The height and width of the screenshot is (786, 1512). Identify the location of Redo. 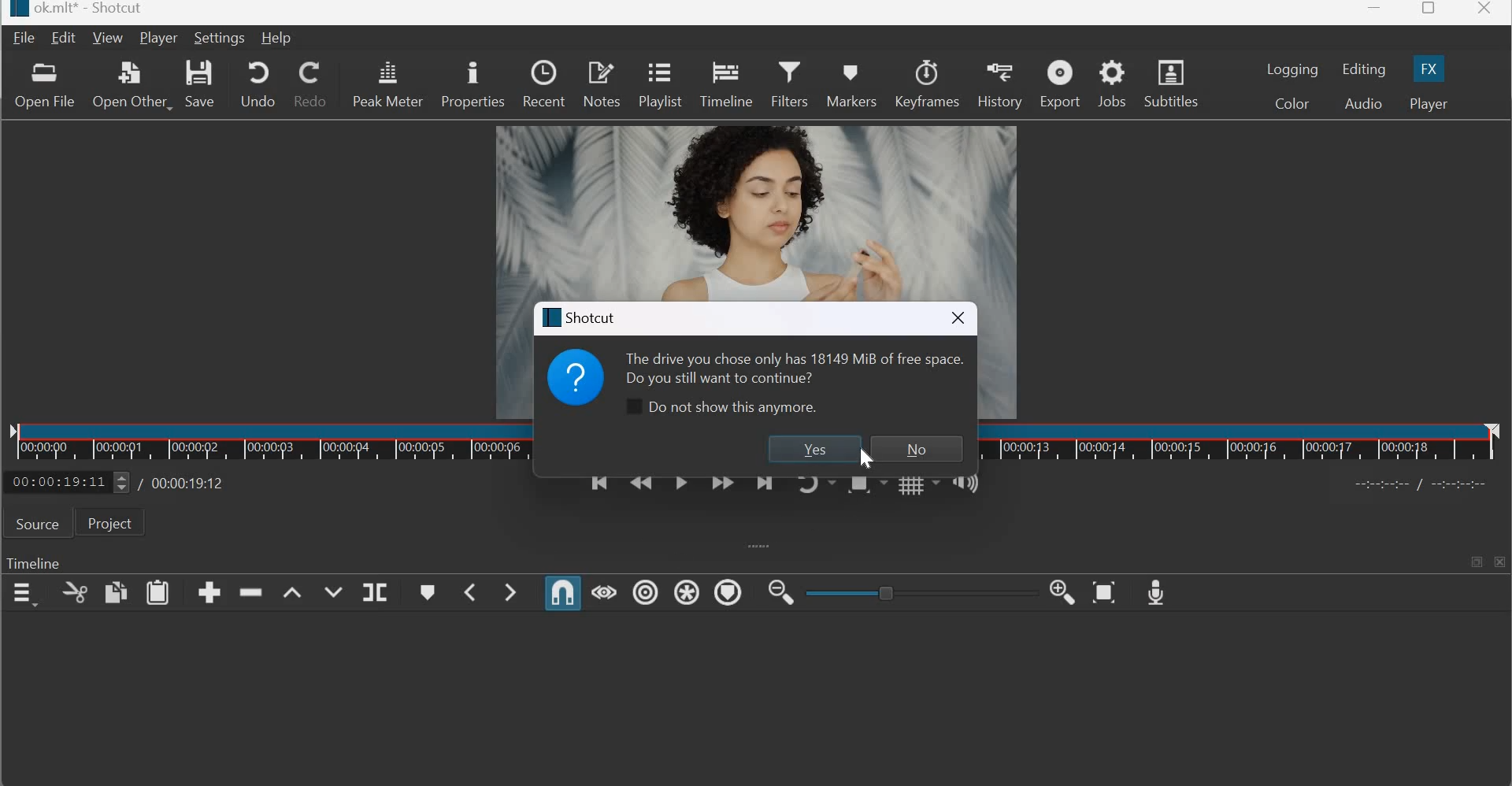
(313, 83).